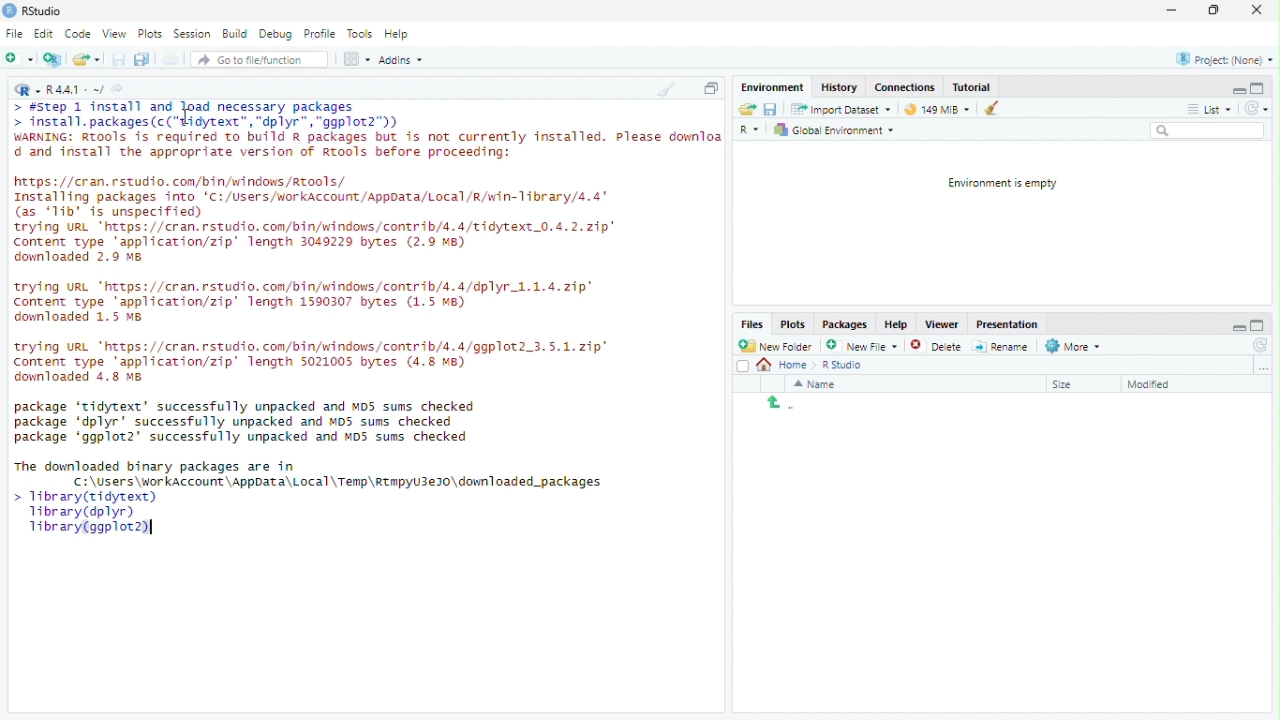 The image size is (1280, 720). What do you see at coordinates (209, 115) in the screenshot?
I see `2 tia]. packages CoC" Tl dytent sqnlye nodes
> install. packages (c("didytext", "dplyr", “ggplot2"))` at bounding box center [209, 115].